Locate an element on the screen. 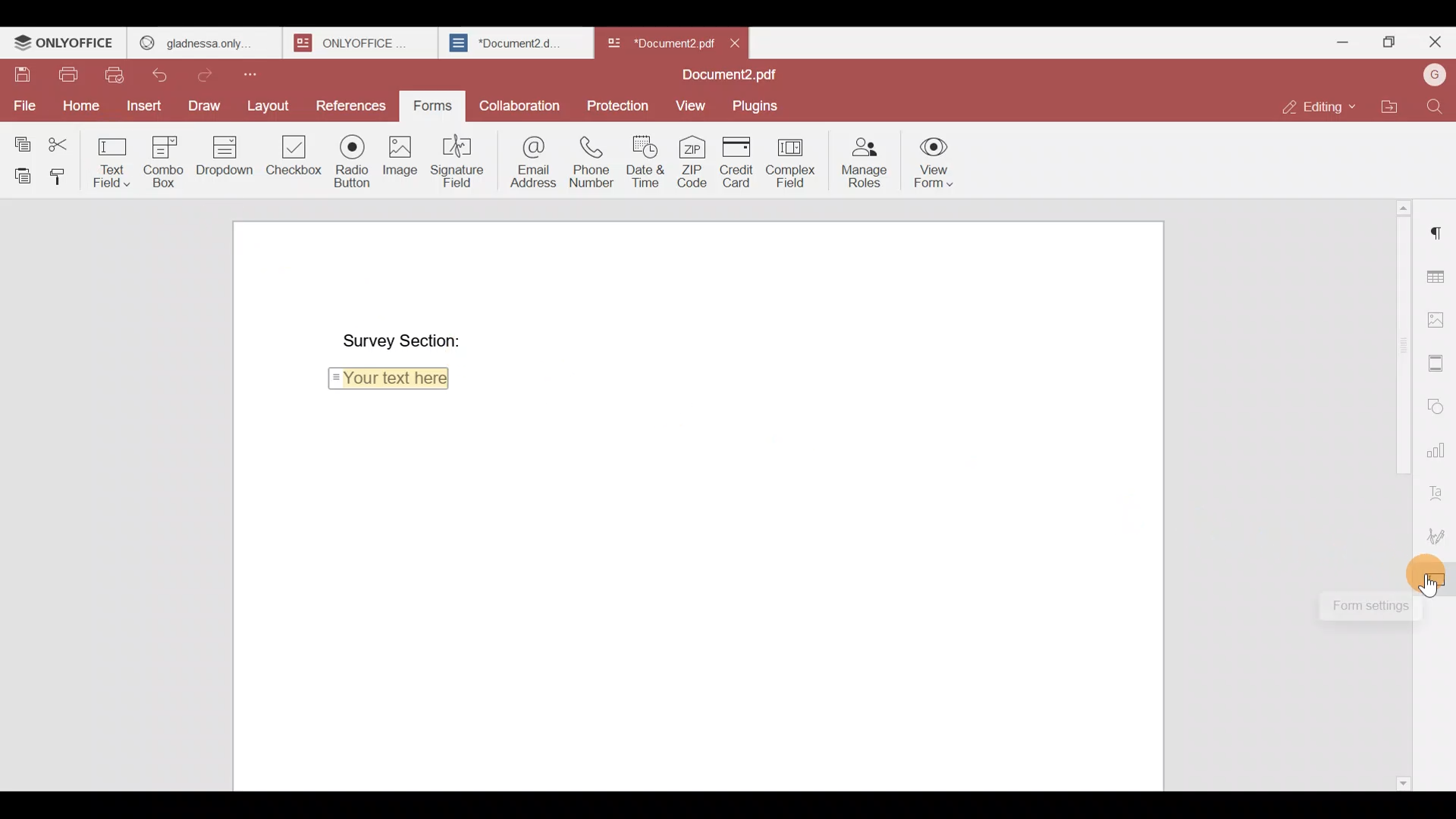 This screenshot has width=1456, height=819. Form settings is located at coordinates (1360, 607).